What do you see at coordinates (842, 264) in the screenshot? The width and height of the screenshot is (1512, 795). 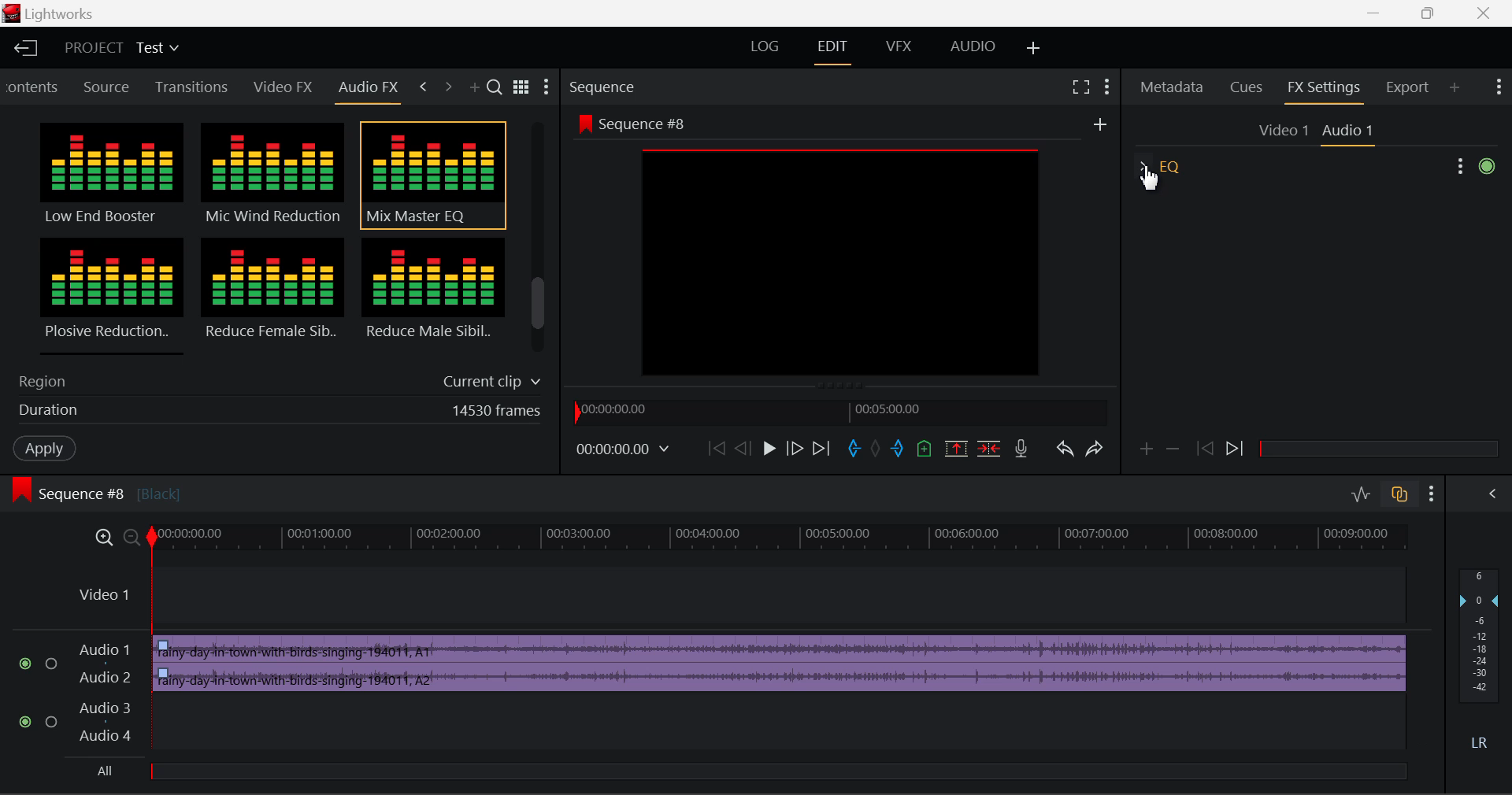 I see `preview` at bounding box center [842, 264].